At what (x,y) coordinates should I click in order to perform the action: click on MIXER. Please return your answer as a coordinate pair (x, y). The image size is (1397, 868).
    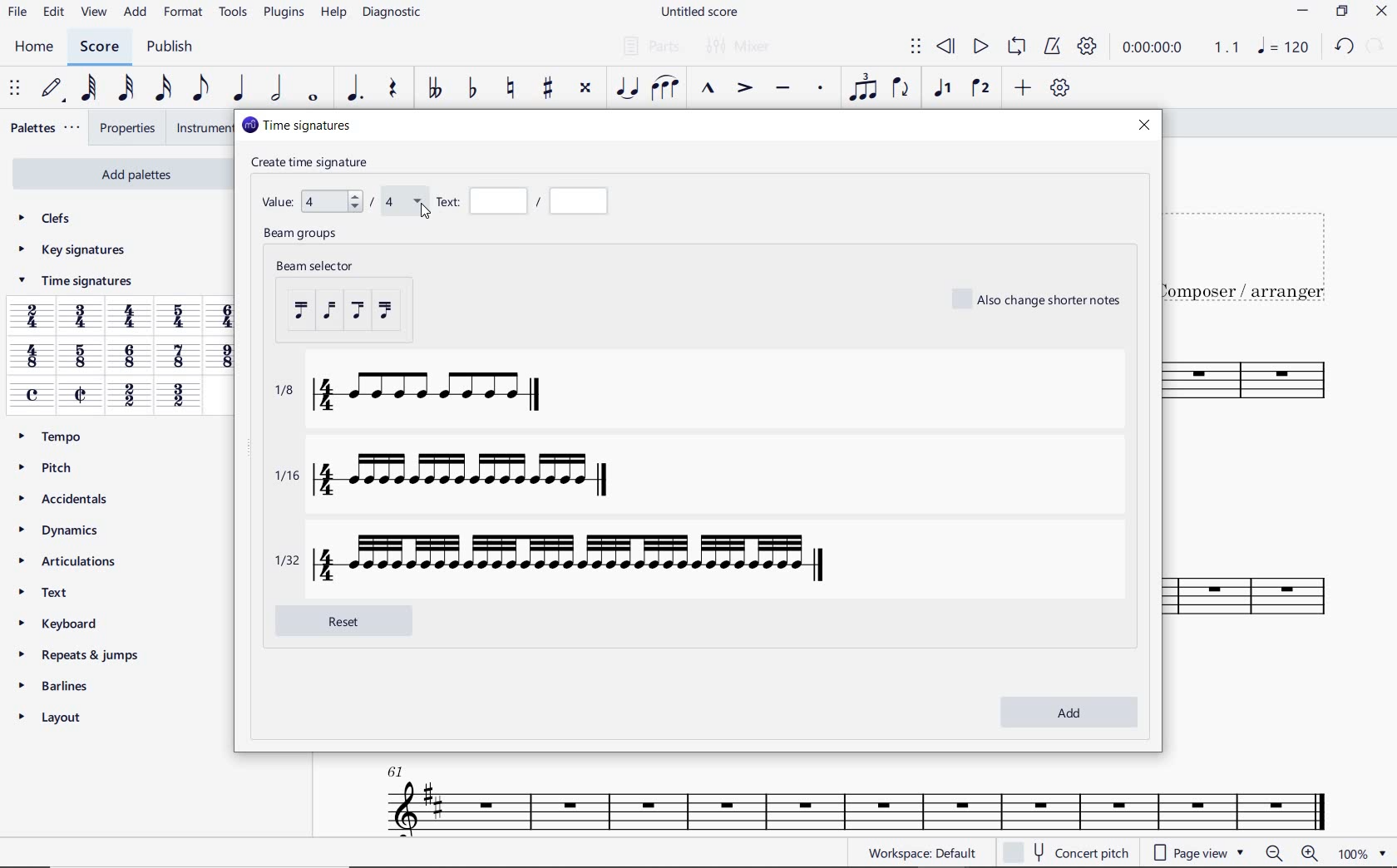
    Looking at the image, I should click on (740, 47).